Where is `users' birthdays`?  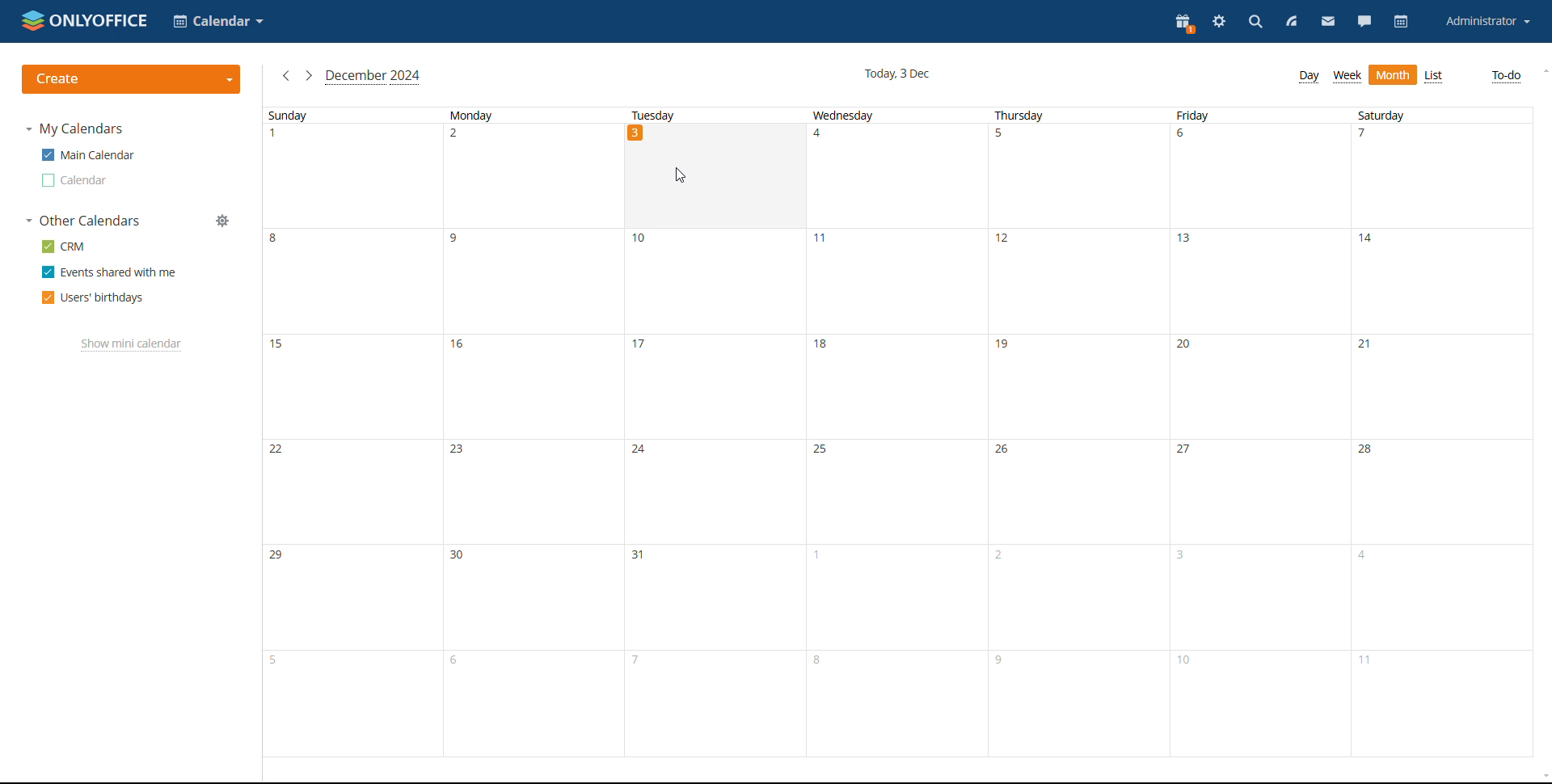 users' birthdays is located at coordinates (94, 297).